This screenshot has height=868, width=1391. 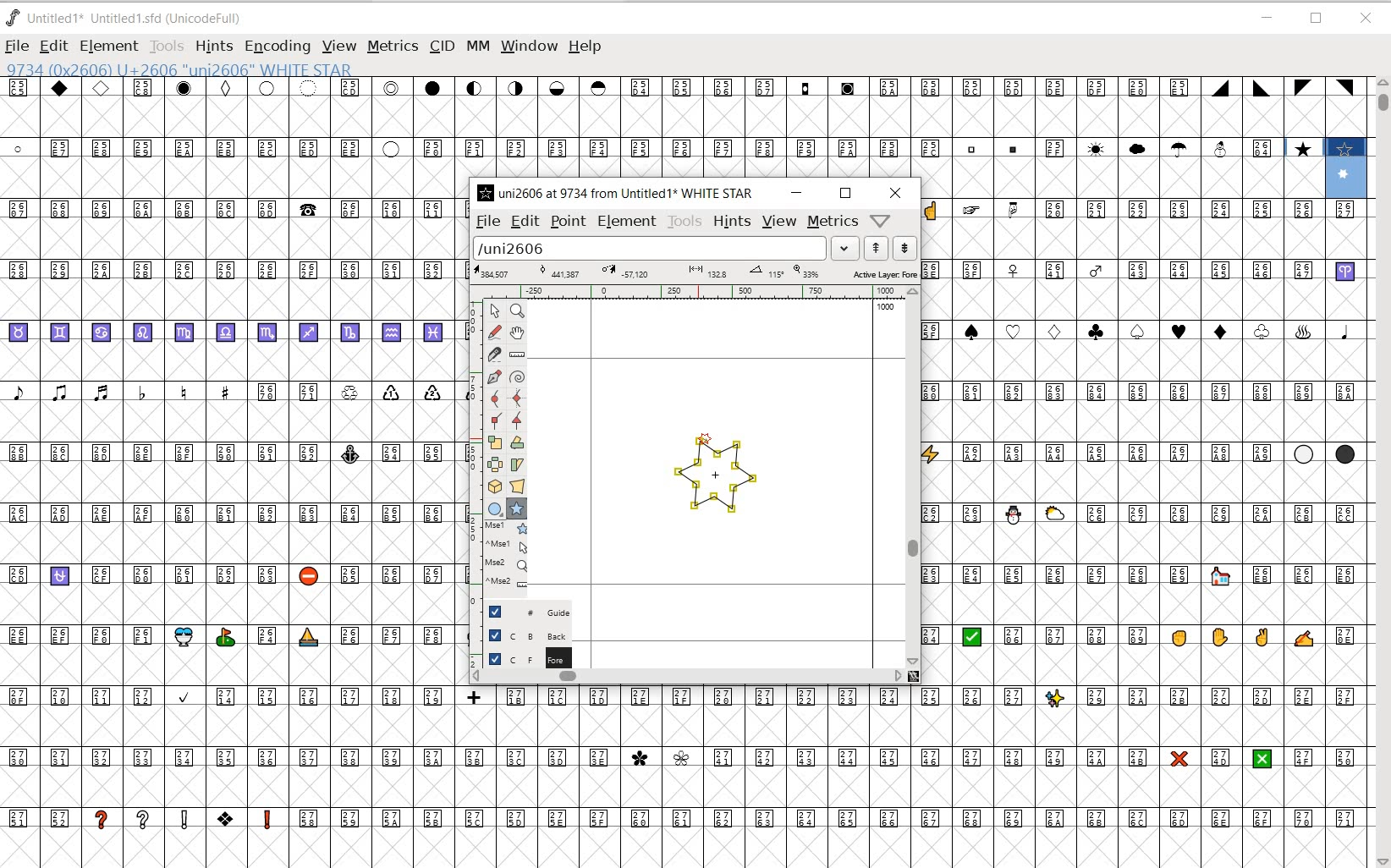 What do you see at coordinates (338, 47) in the screenshot?
I see `VIEW` at bounding box center [338, 47].